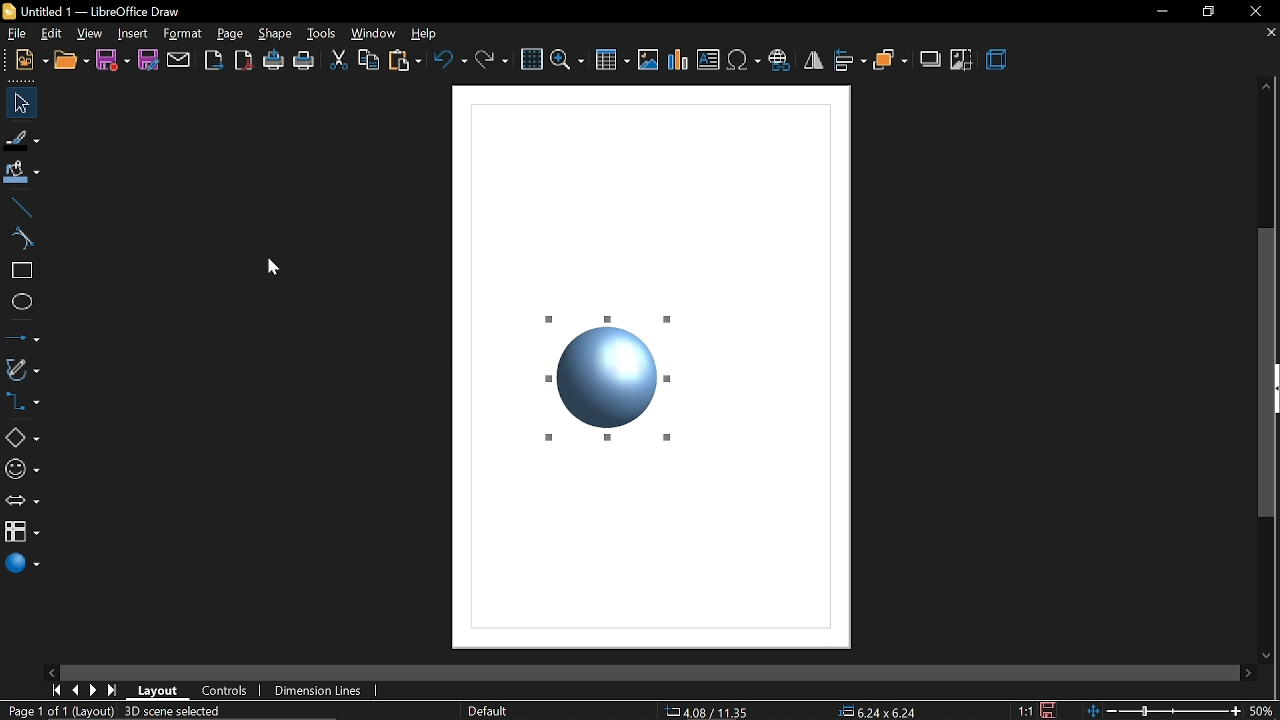  I want to click on line, so click(20, 207).